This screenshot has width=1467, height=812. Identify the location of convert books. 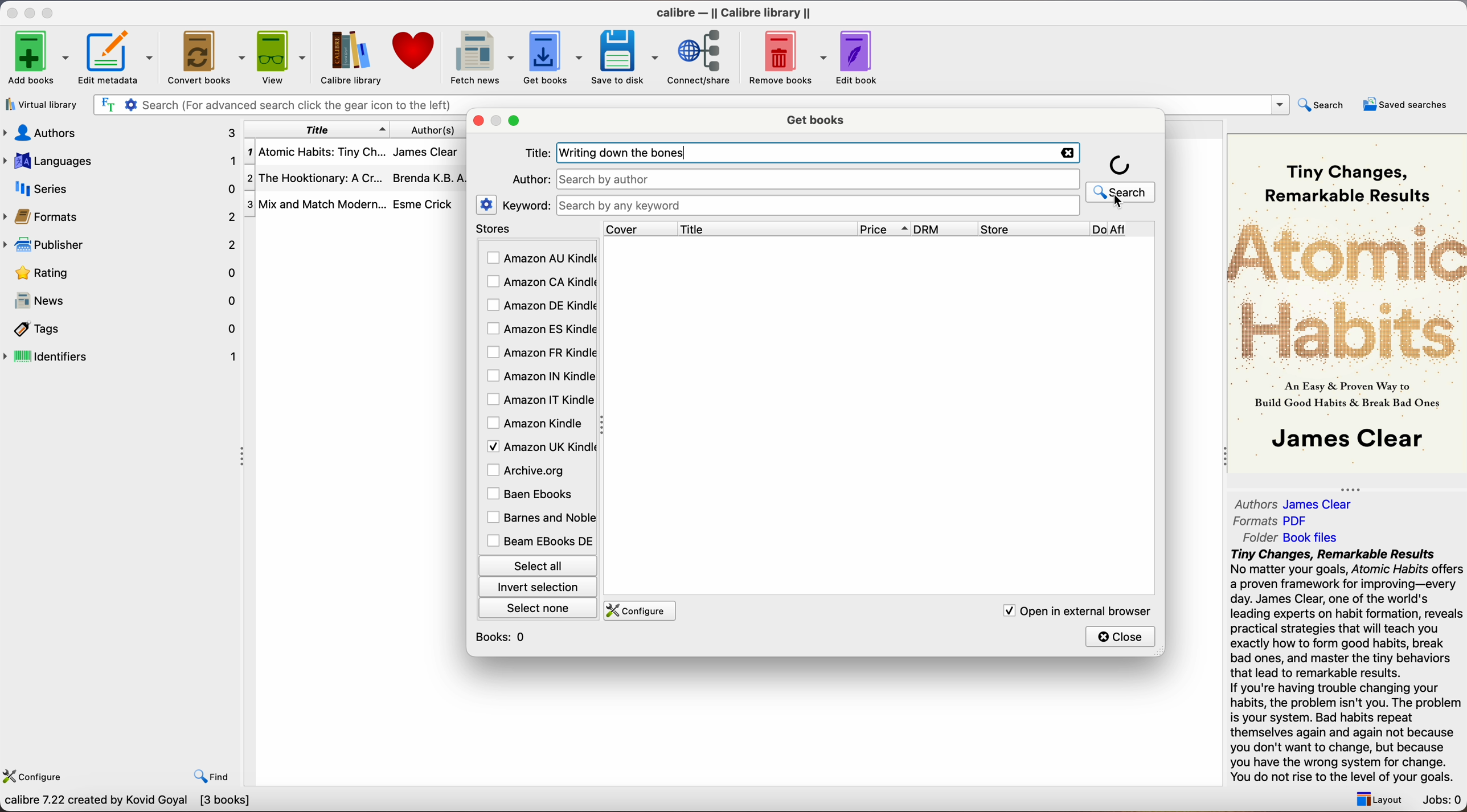
(208, 59).